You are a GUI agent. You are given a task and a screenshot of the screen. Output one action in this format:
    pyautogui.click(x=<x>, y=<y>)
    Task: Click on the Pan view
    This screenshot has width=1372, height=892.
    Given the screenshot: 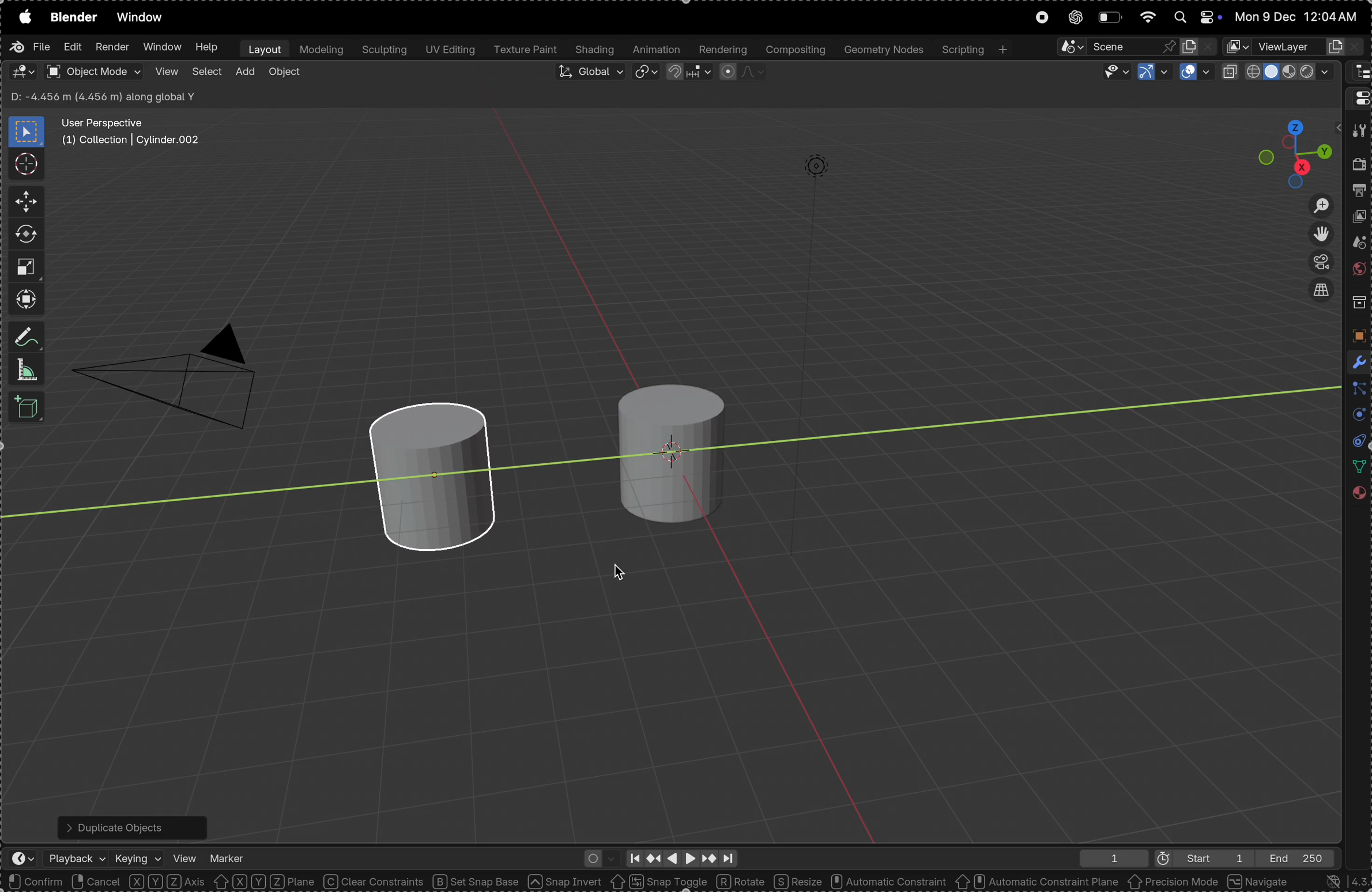 What is the action you would take?
    pyautogui.click(x=138, y=882)
    